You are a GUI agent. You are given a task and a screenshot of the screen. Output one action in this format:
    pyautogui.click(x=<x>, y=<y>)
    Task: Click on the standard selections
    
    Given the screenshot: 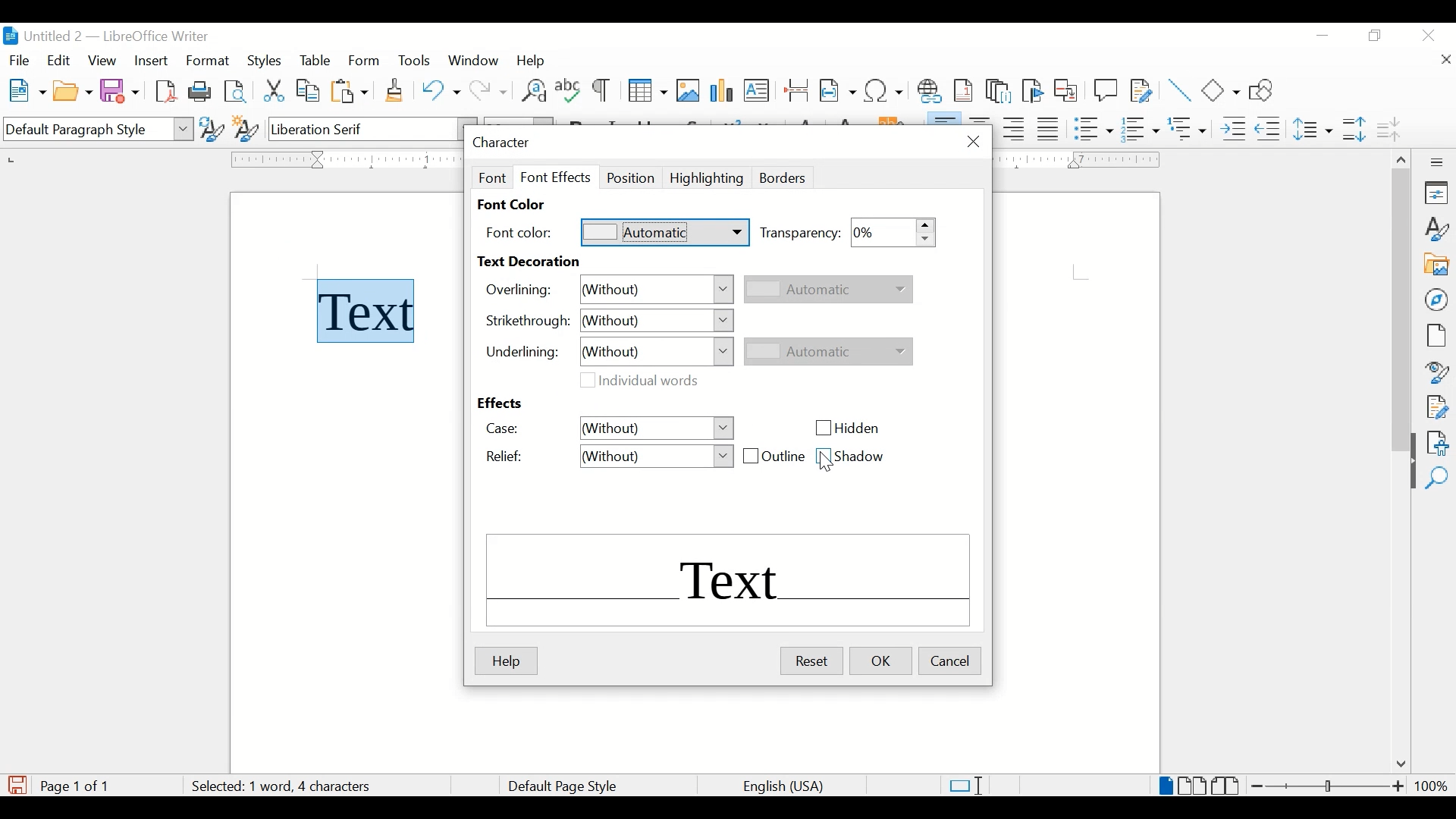 What is the action you would take?
    pyautogui.click(x=965, y=785)
    